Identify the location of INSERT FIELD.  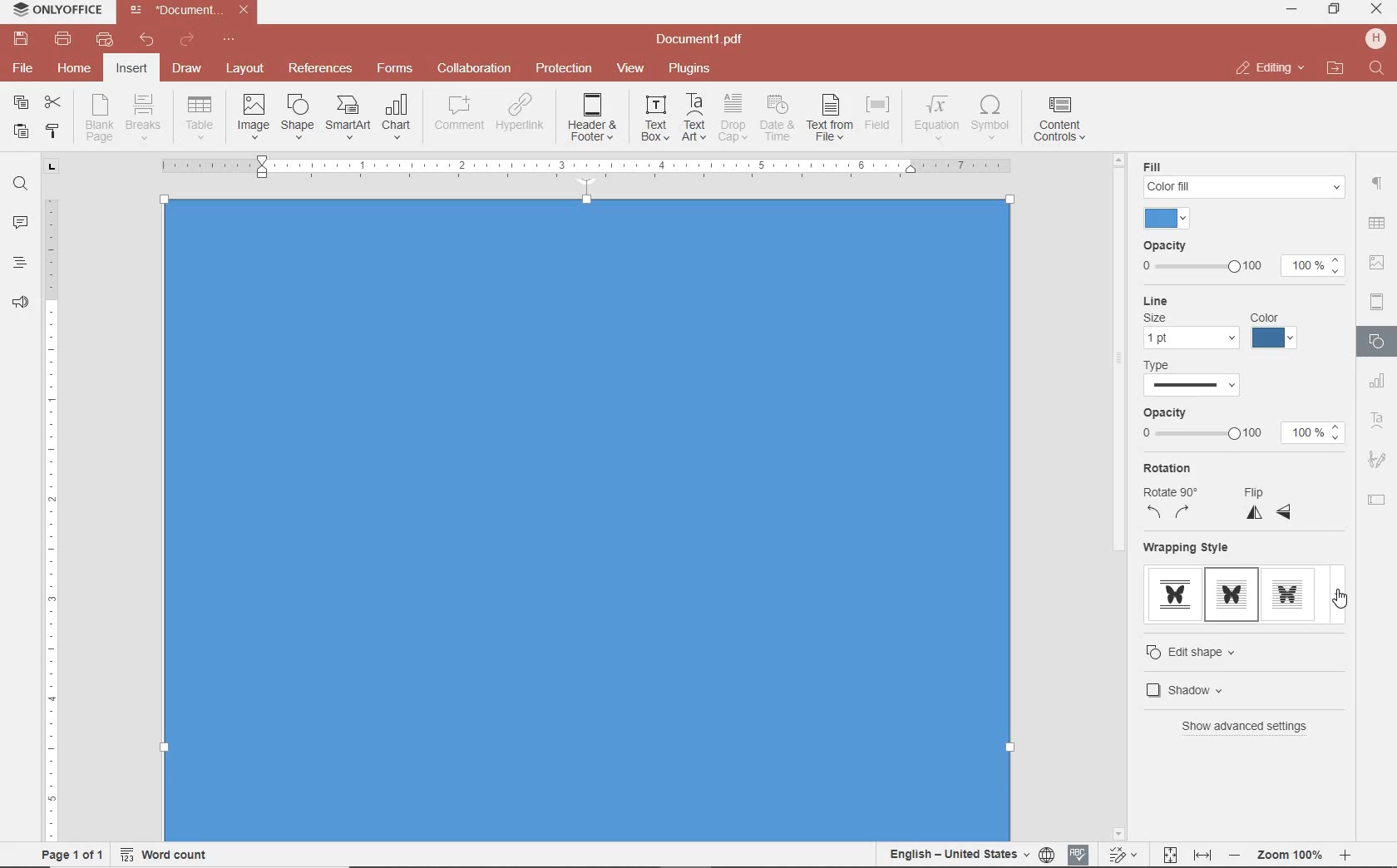
(879, 113).